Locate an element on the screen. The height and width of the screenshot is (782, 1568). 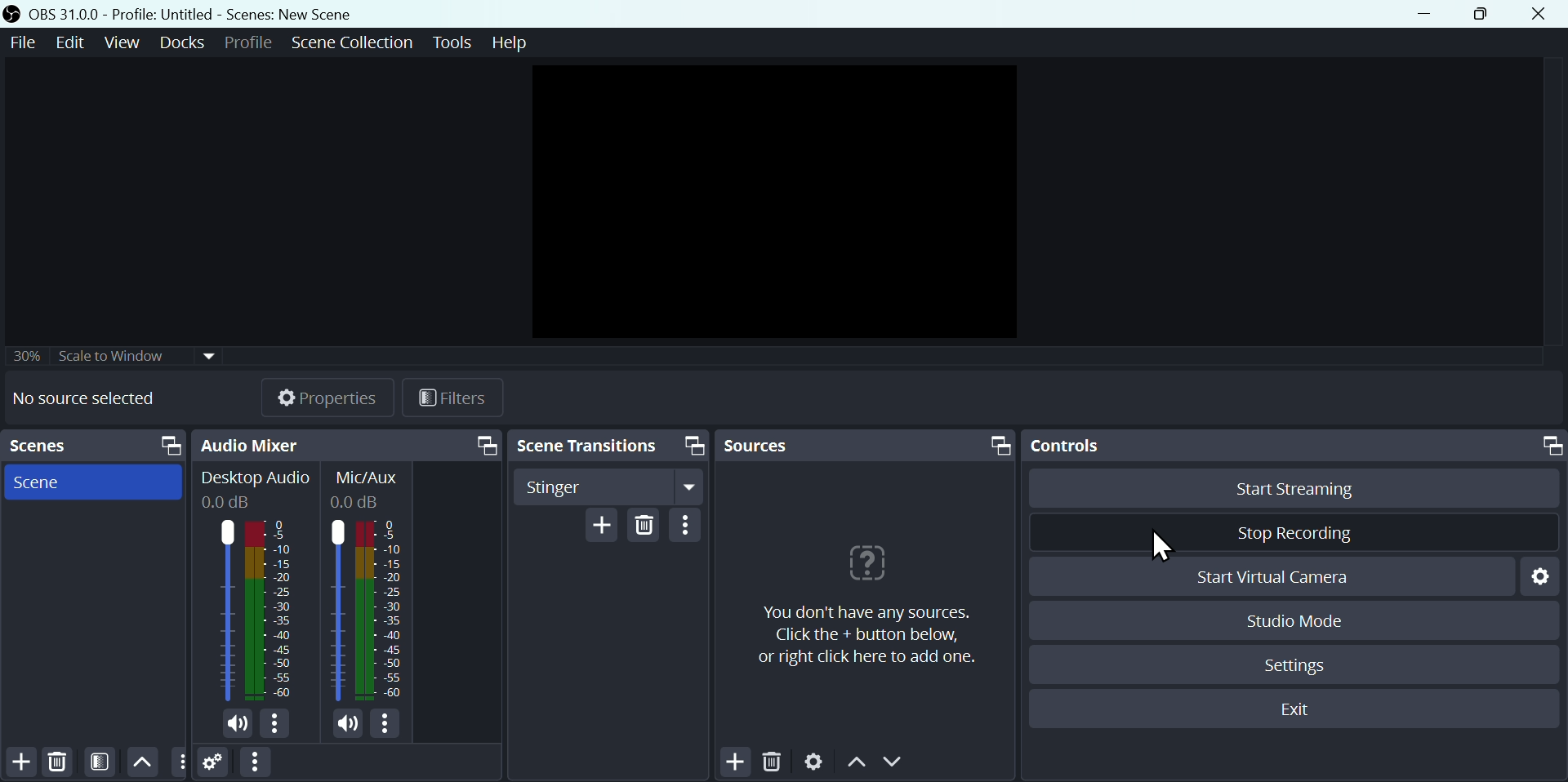
Controls is located at coordinates (1069, 447).